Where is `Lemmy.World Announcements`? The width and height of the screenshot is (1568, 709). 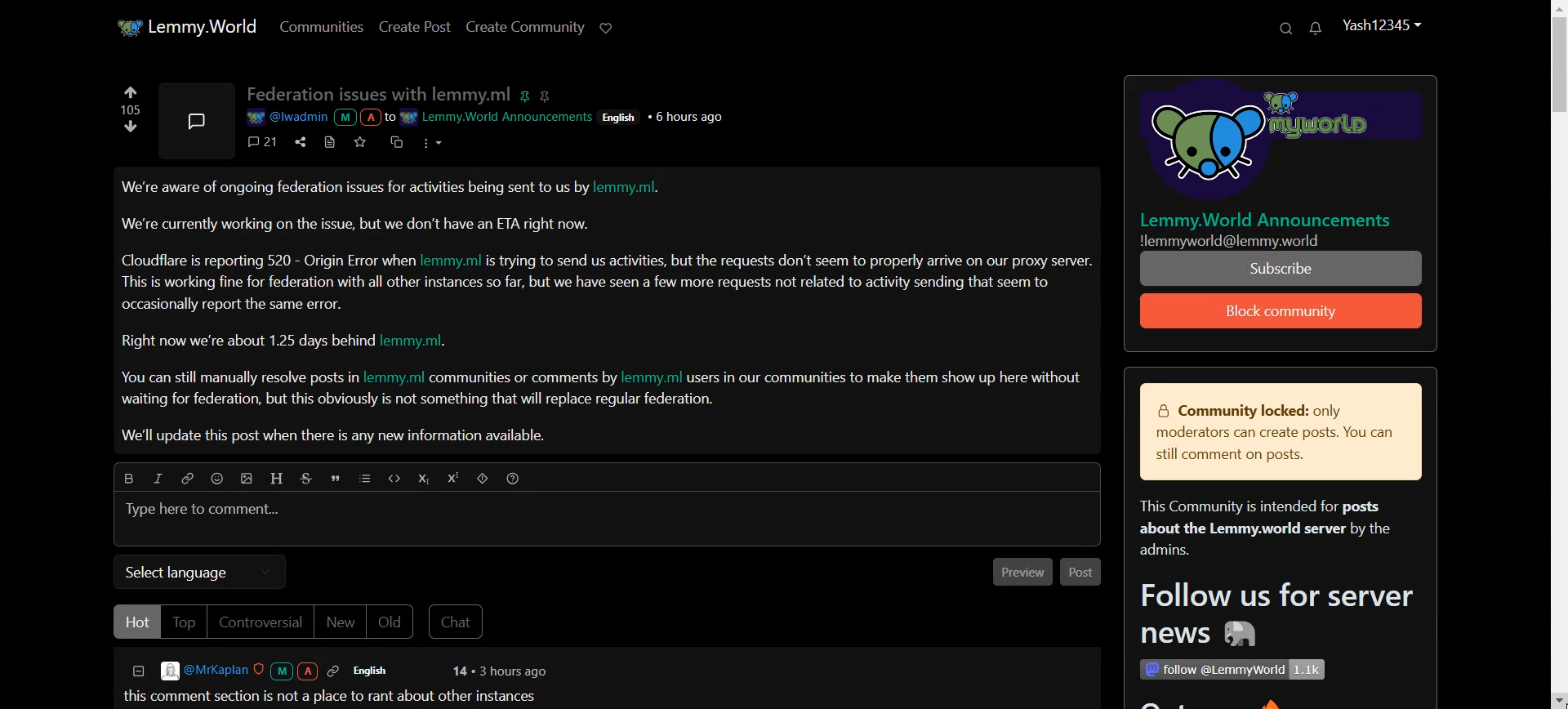
Lemmy.World Announcements is located at coordinates (1267, 221).